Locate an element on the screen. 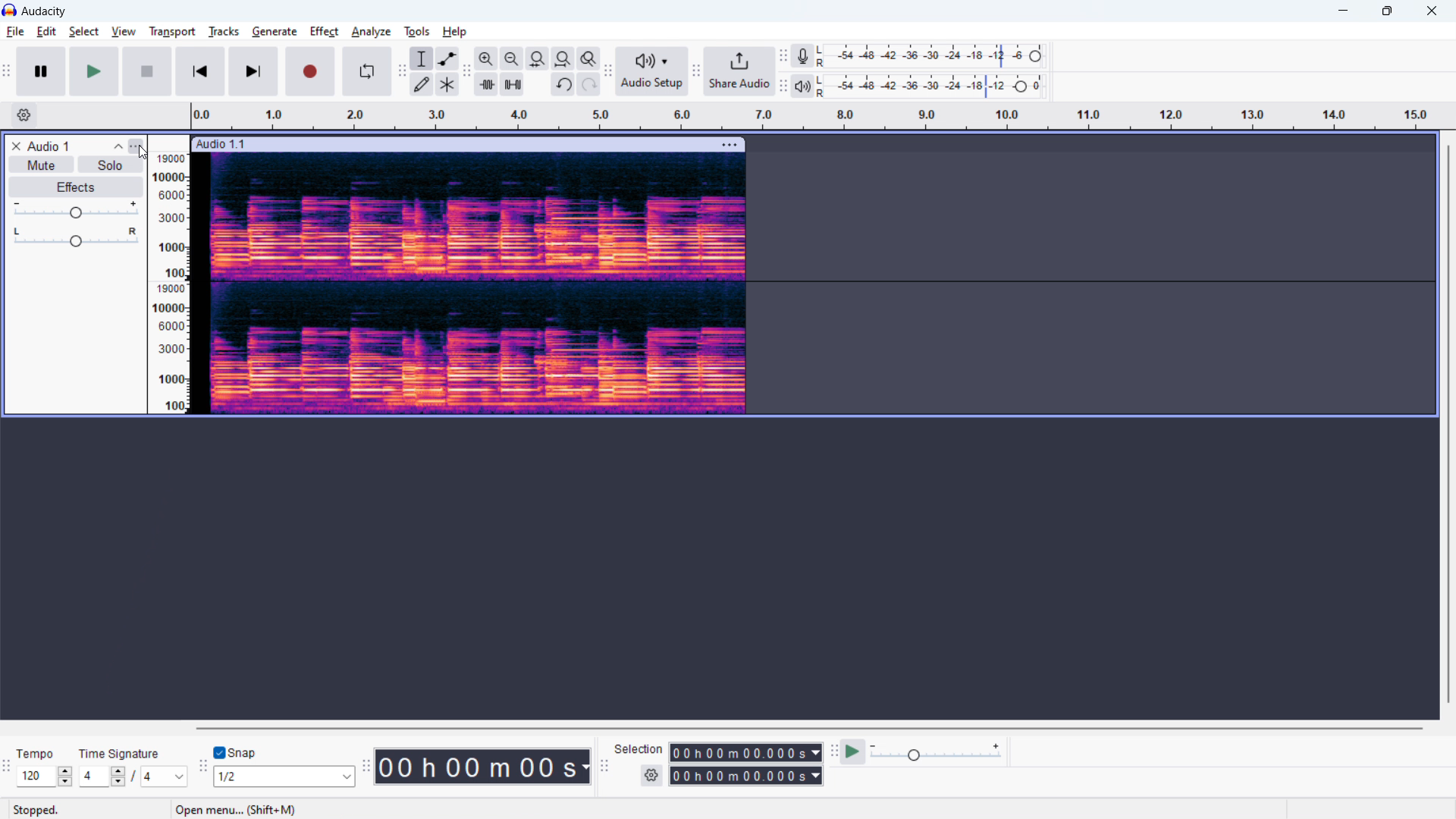 The width and height of the screenshot is (1456, 819). tempo is located at coordinates (37, 755).